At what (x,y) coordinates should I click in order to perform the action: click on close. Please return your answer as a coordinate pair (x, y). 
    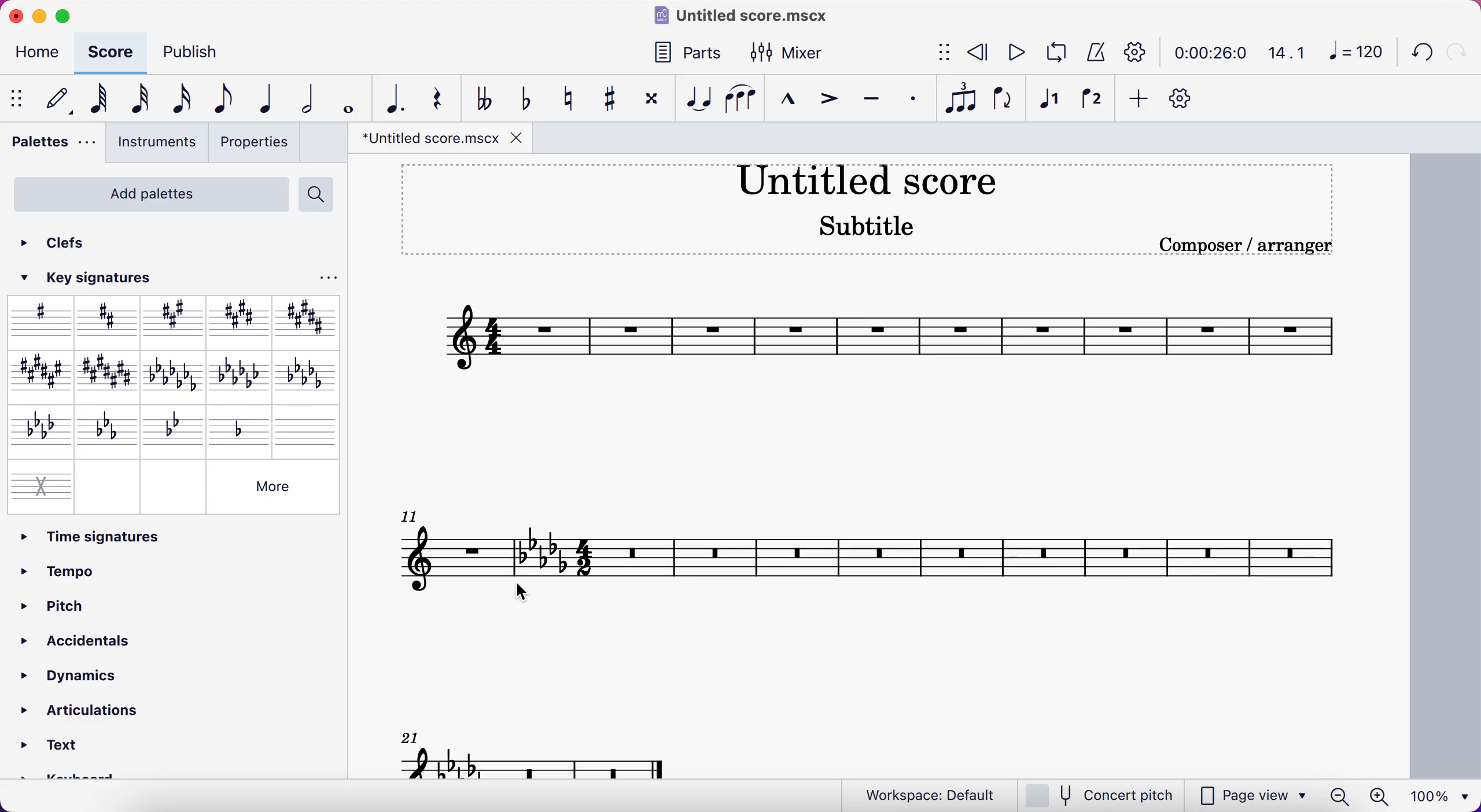
    Looking at the image, I should click on (16, 16).